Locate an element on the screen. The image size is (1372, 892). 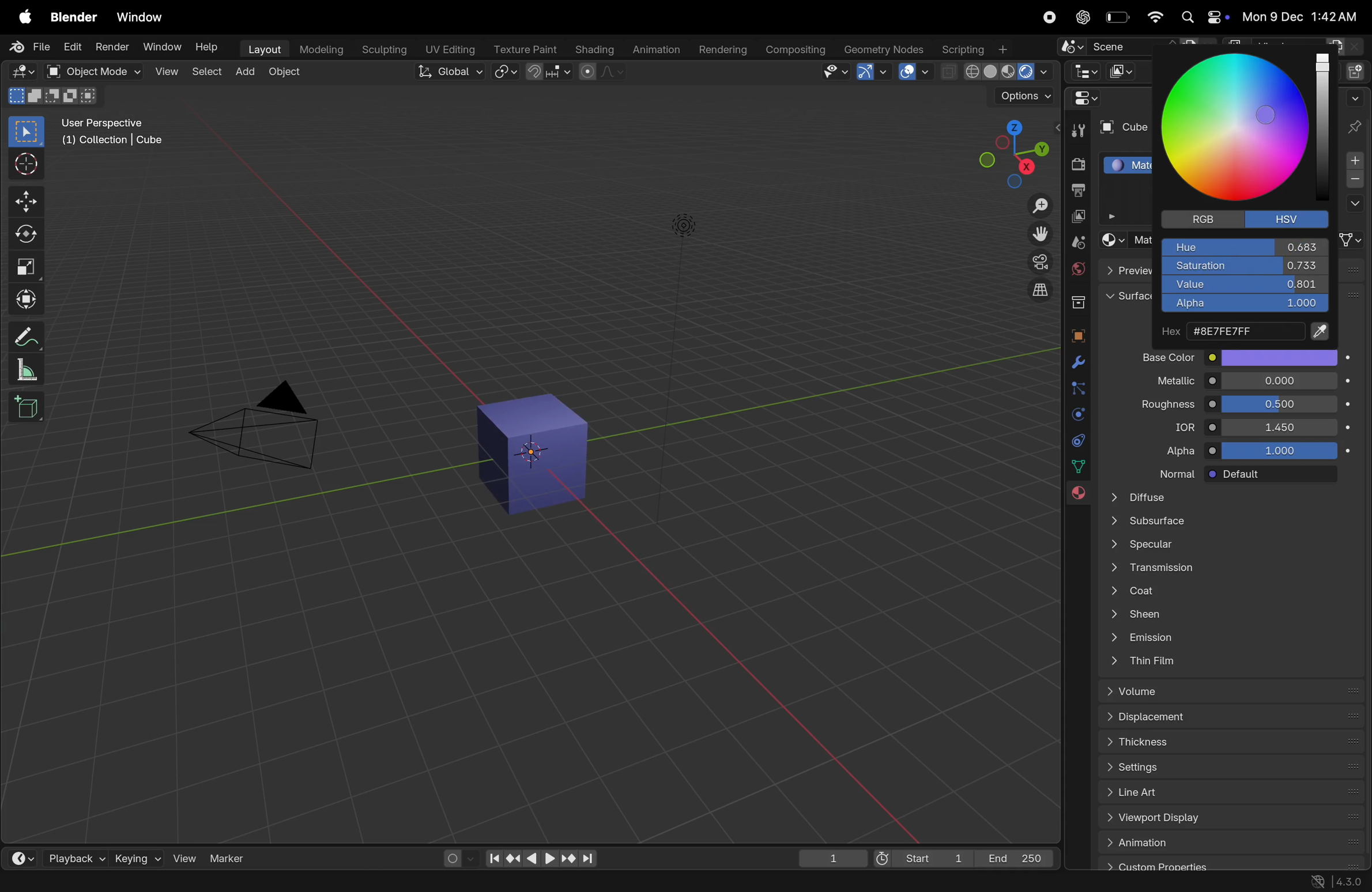
transform is located at coordinates (25, 300).